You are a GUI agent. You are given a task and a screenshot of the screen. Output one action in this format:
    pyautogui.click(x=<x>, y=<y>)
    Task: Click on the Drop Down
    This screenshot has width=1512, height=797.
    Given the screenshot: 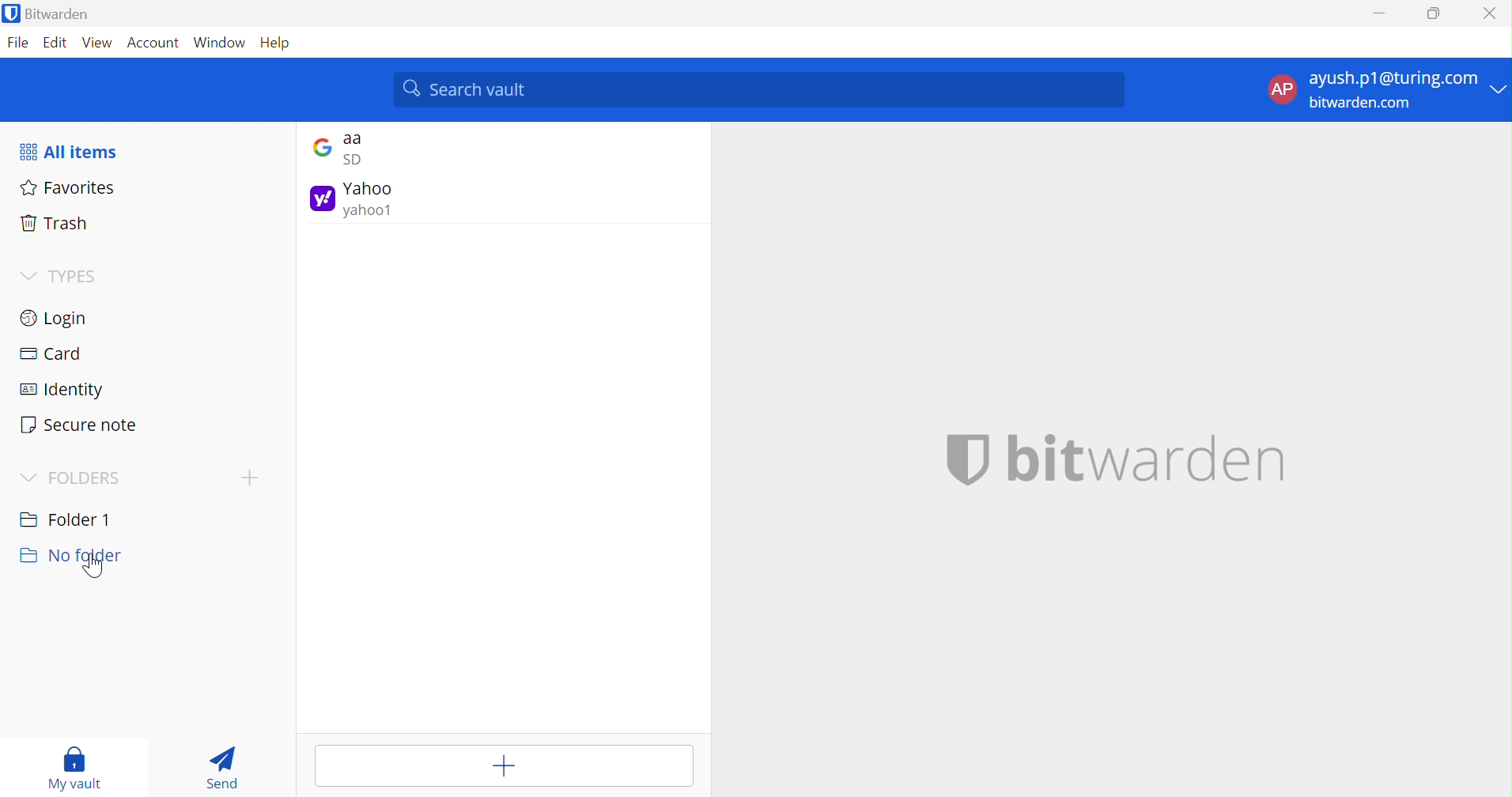 What is the action you would take?
    pyautogui.click(x=27, y=276)
    